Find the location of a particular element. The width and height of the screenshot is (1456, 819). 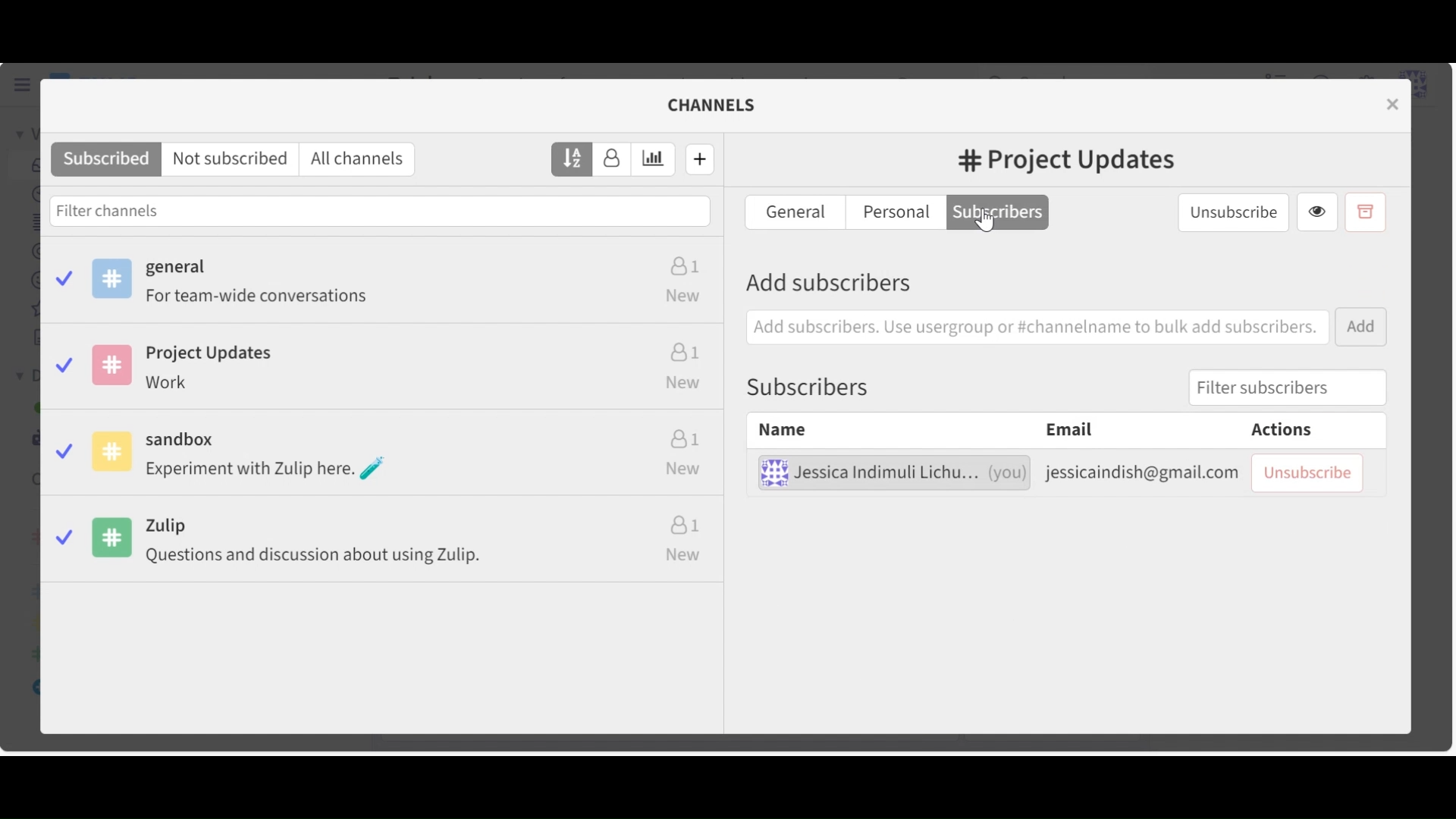

General is located at coordinates (794, 212).